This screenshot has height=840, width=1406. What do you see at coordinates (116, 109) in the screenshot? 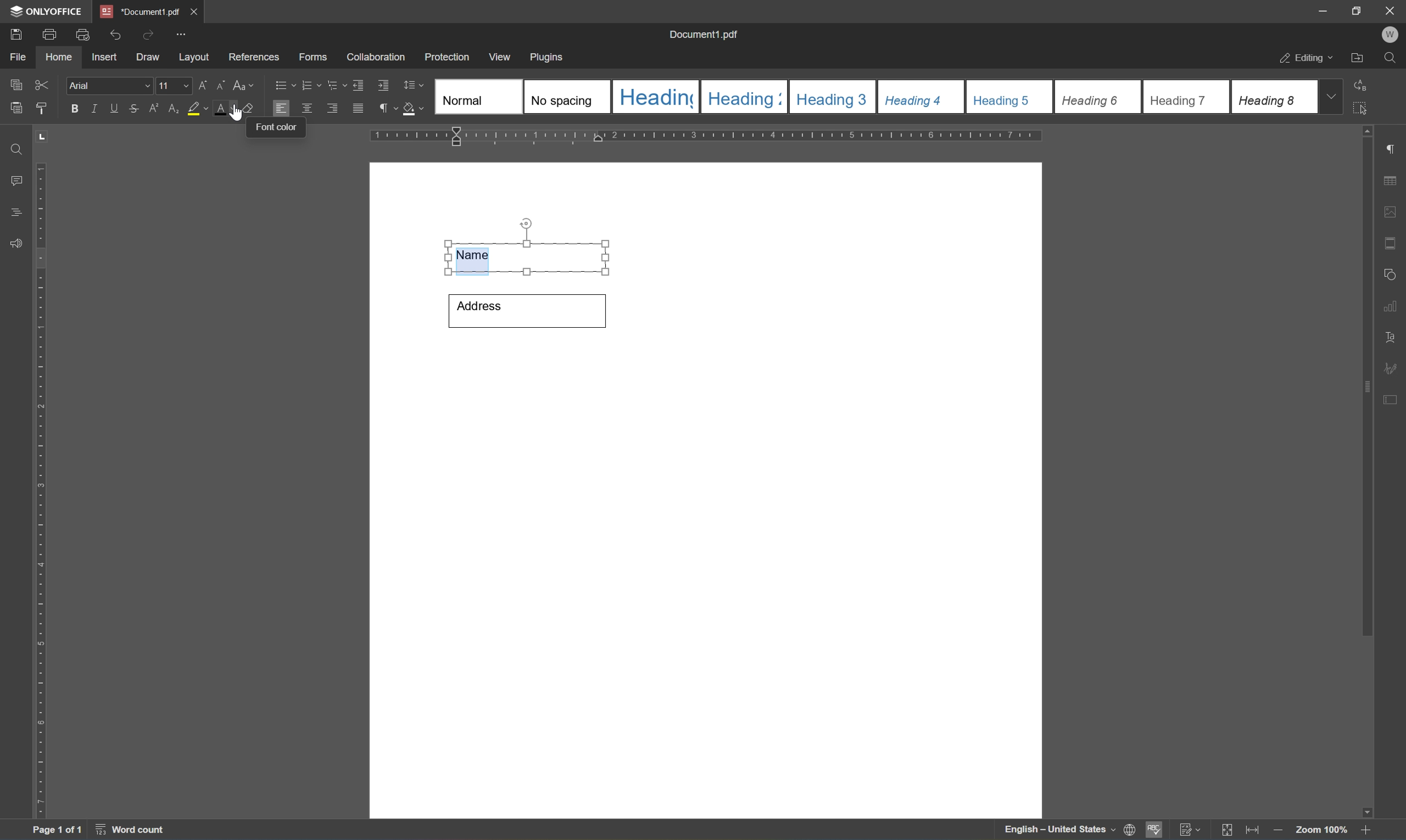
I see `underline` at bounding box center [116, 109].